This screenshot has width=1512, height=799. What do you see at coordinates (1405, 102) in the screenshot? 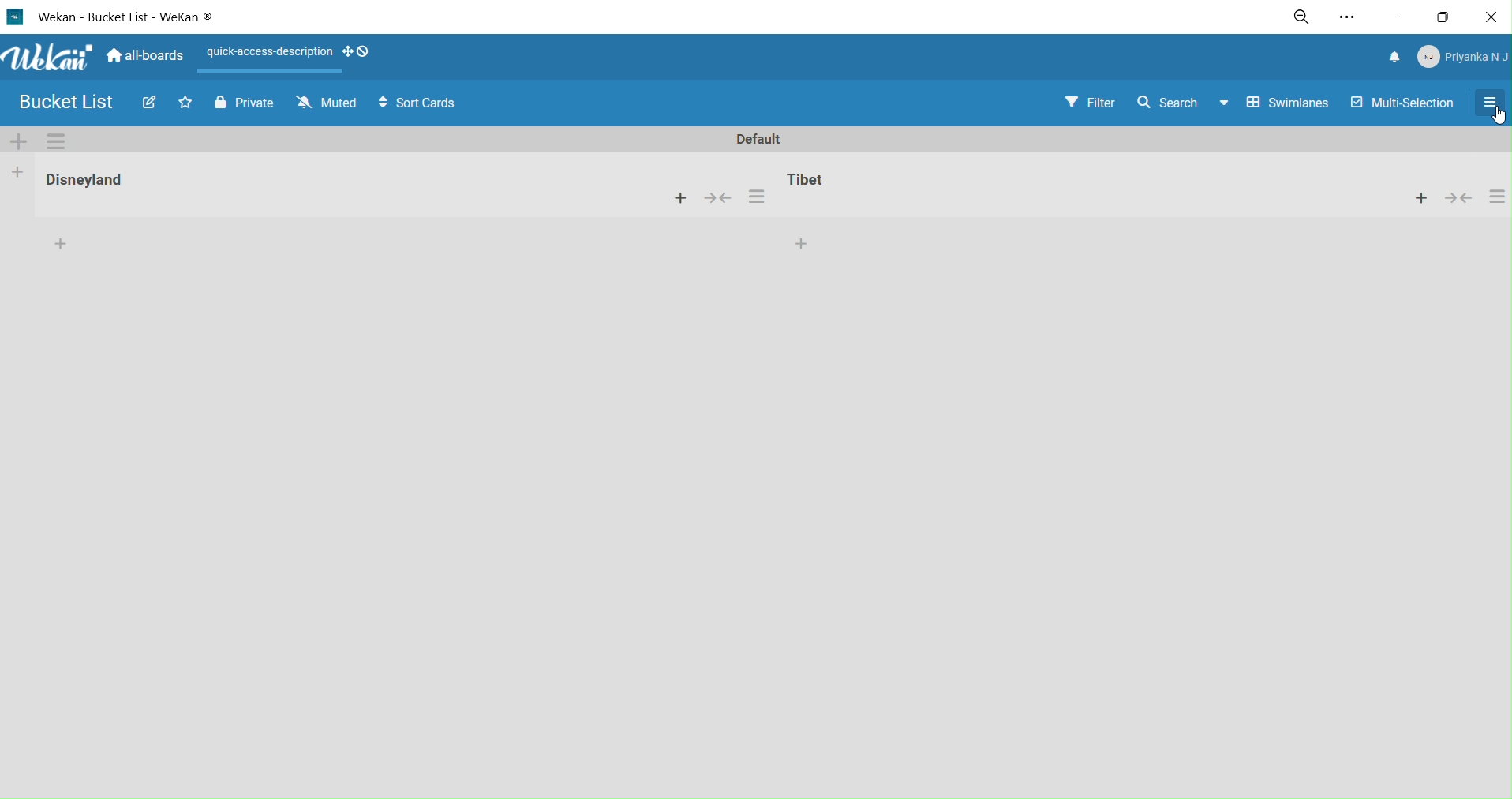
I see `multi selection` at bounding box center [1405, 102].